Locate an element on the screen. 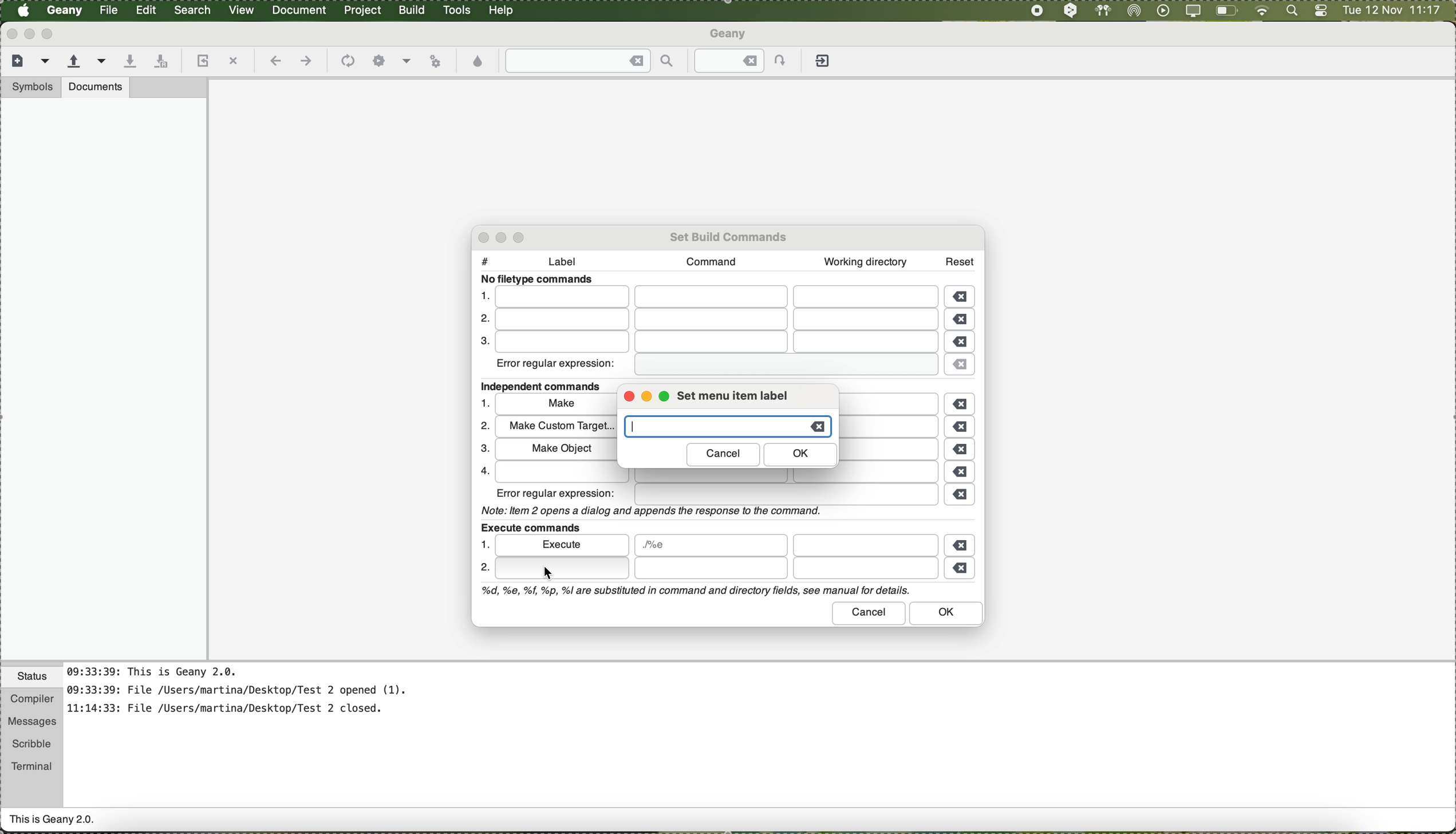 This screenshot has width=1456, height=834. 3 is located at coordinates (482, 343).